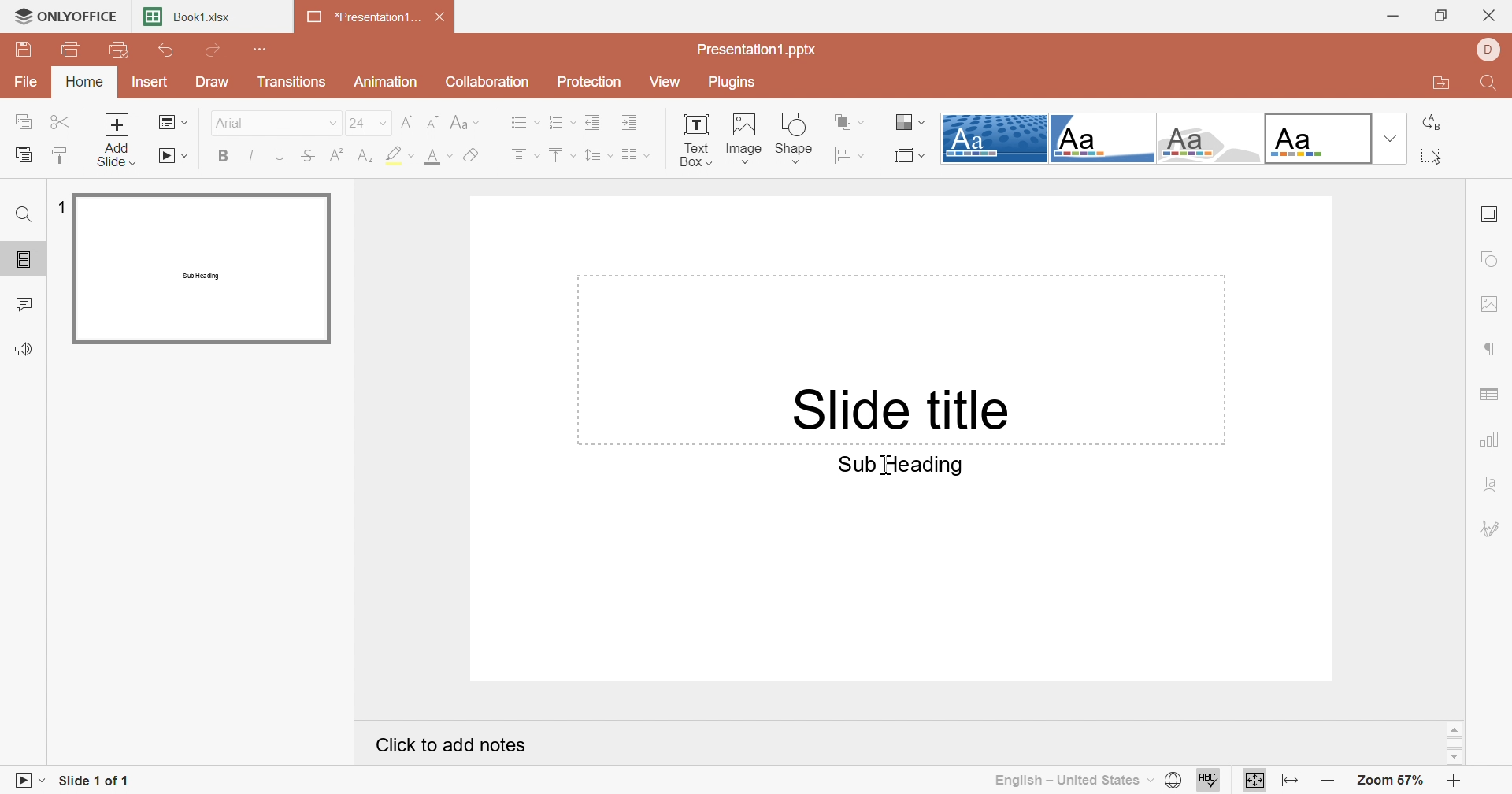 The height and width of the screenshot is (794, 1512). Describe the element at coordinates (1491, 215) in the screenshot. I see `Slide settings` at that location.